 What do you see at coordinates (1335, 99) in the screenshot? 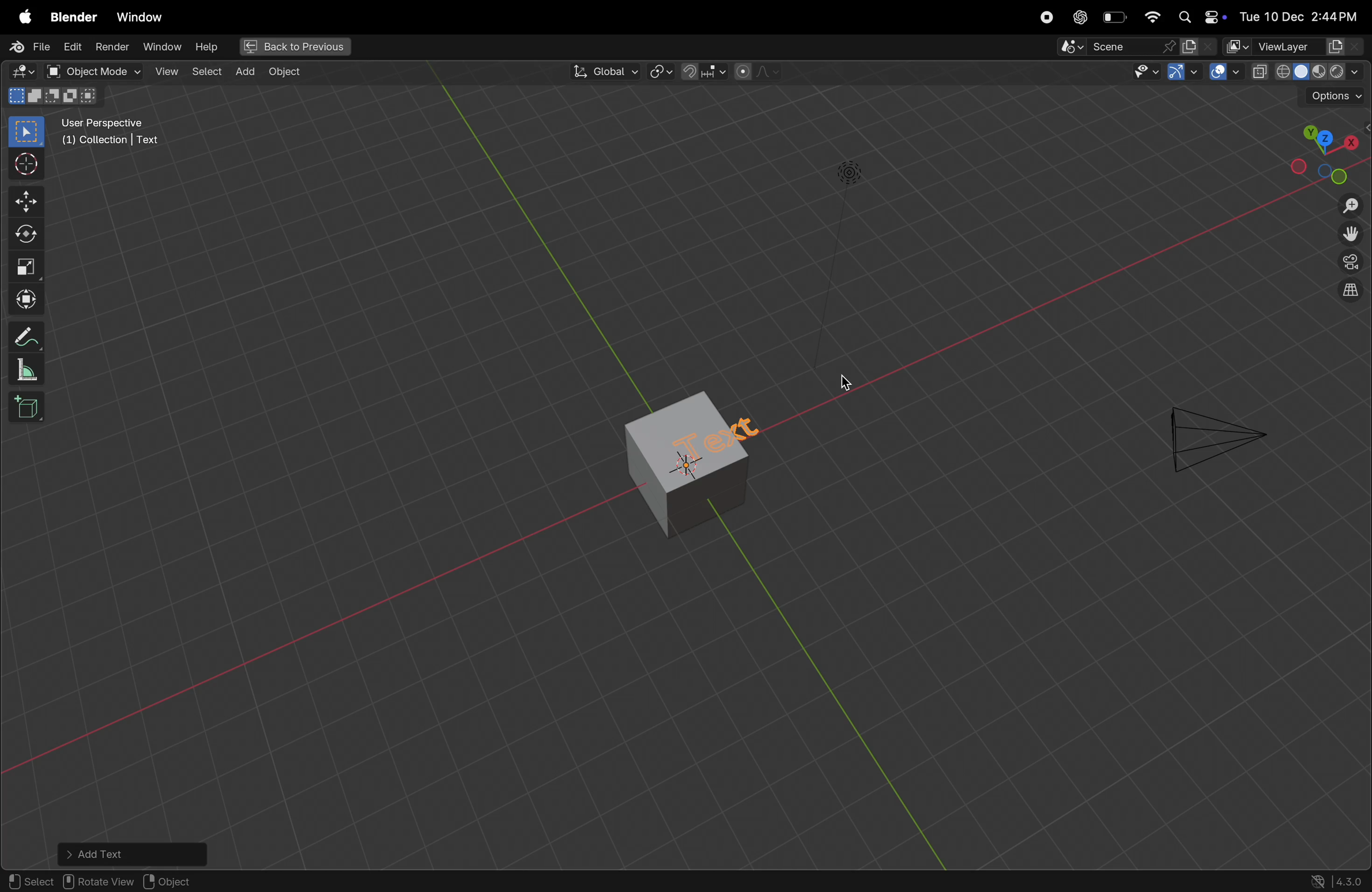
I see `options` at bounding box center [1335, 99].